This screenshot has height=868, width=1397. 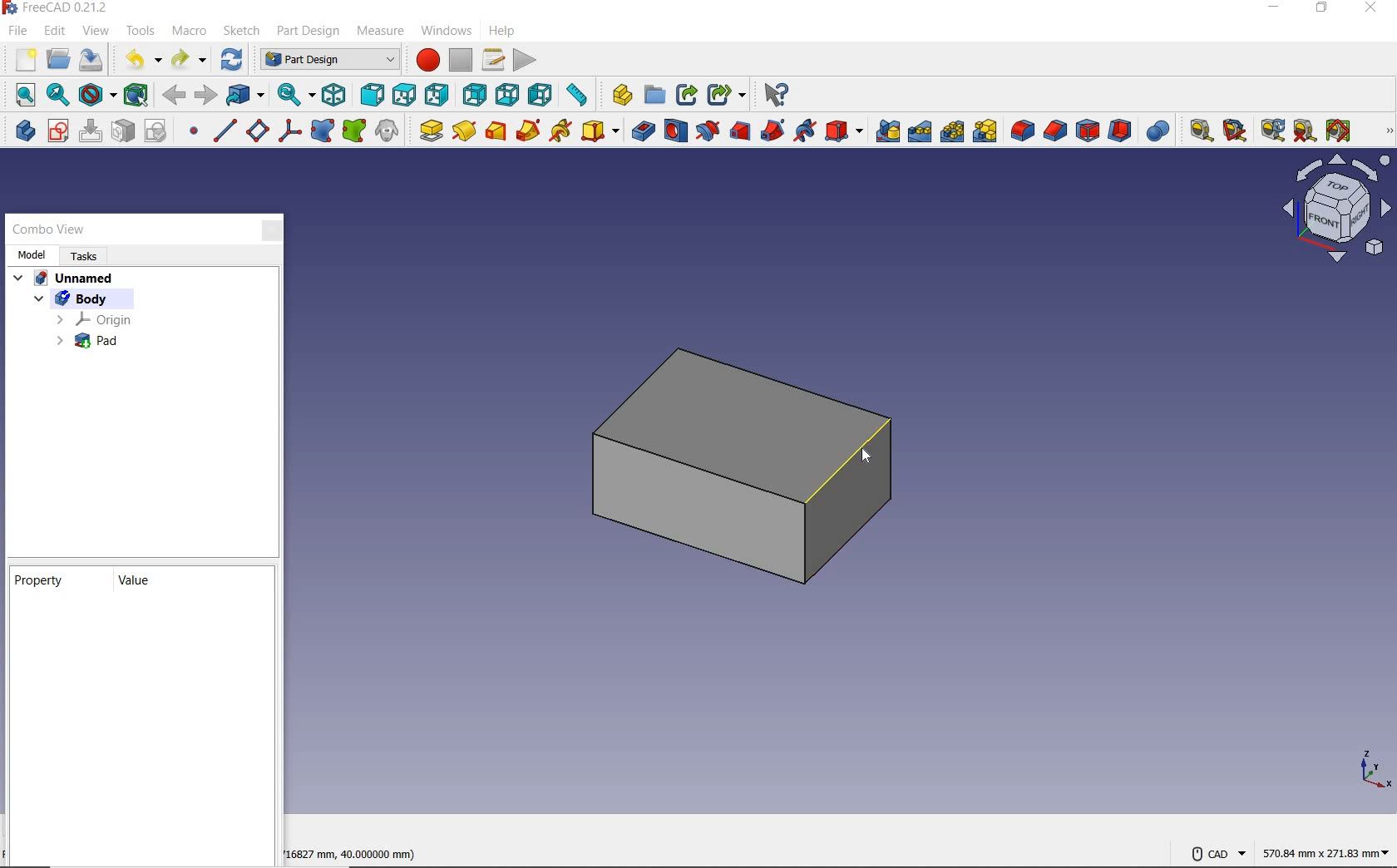 What do you see at coordinates (158, 131) in the screenshot?
I see `validate sketch` at bounding box center [158, 131].